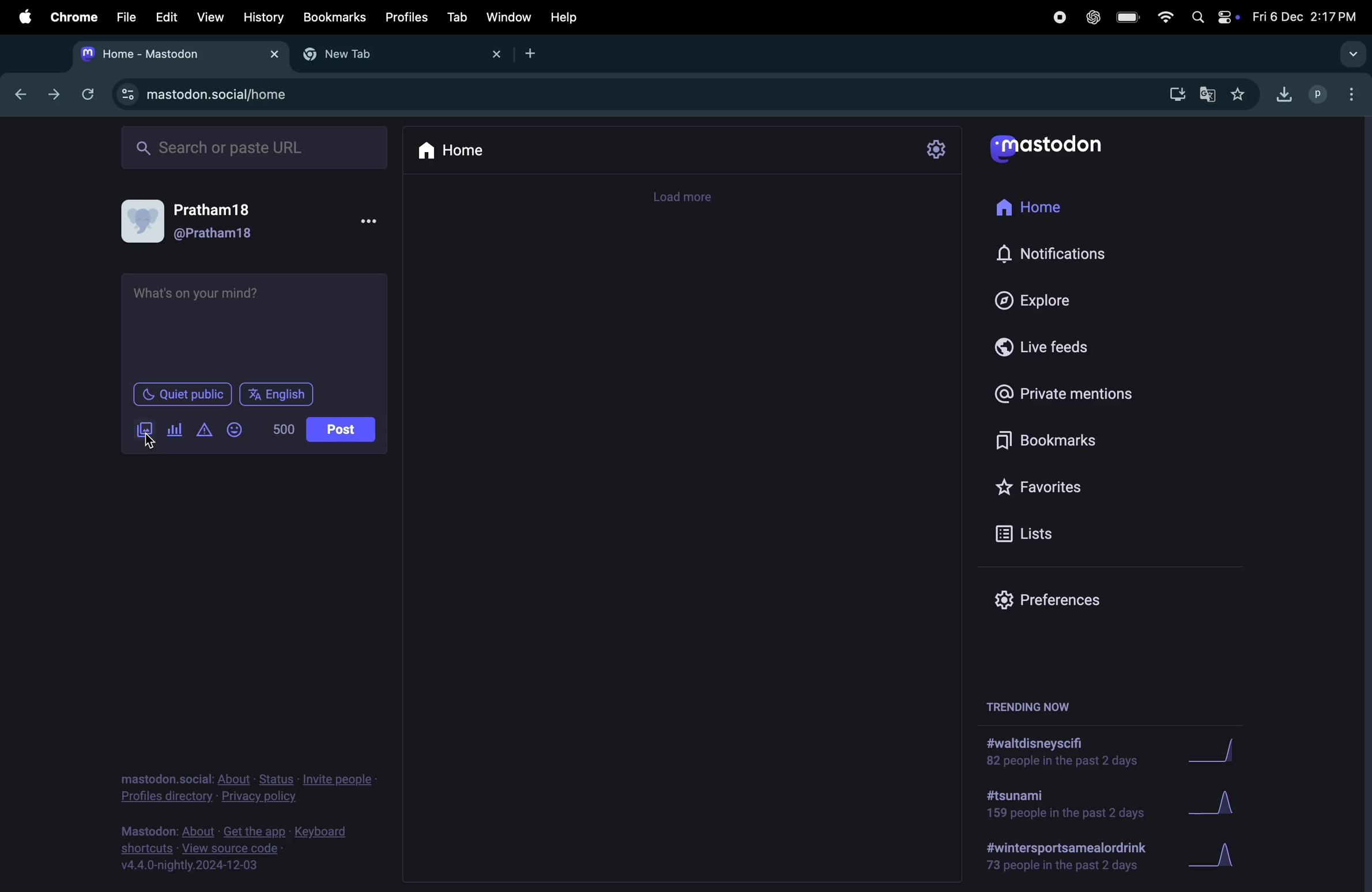 Image resolution: width=1372 pixels, height=892 pixels. Describe the element at coordinates (536, 54) in the screenshot. I see `new tab` at that location.